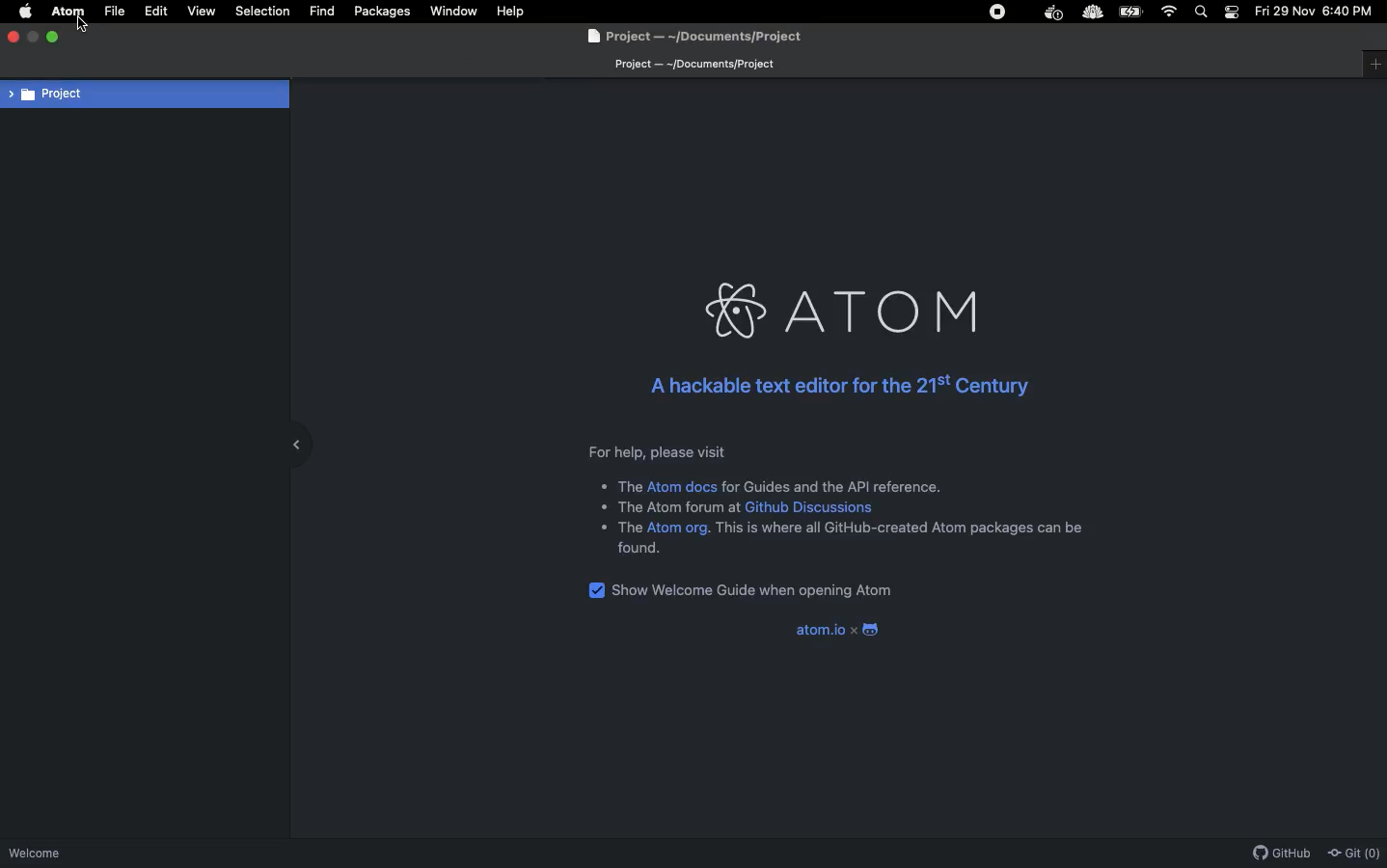  I want to click on cursor, so click(86, 21).